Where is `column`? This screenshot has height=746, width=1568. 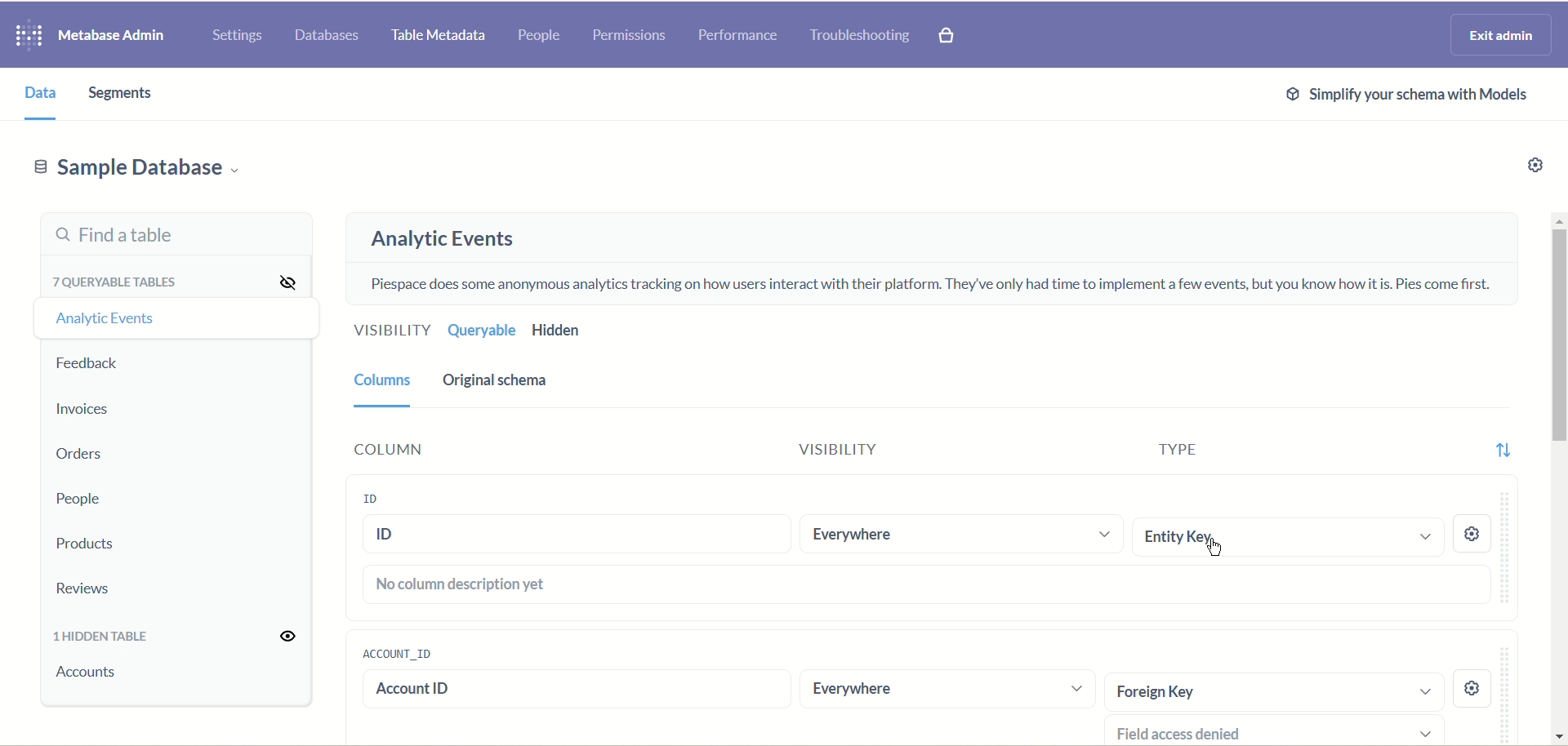 column is located at coordinates (385, 446).